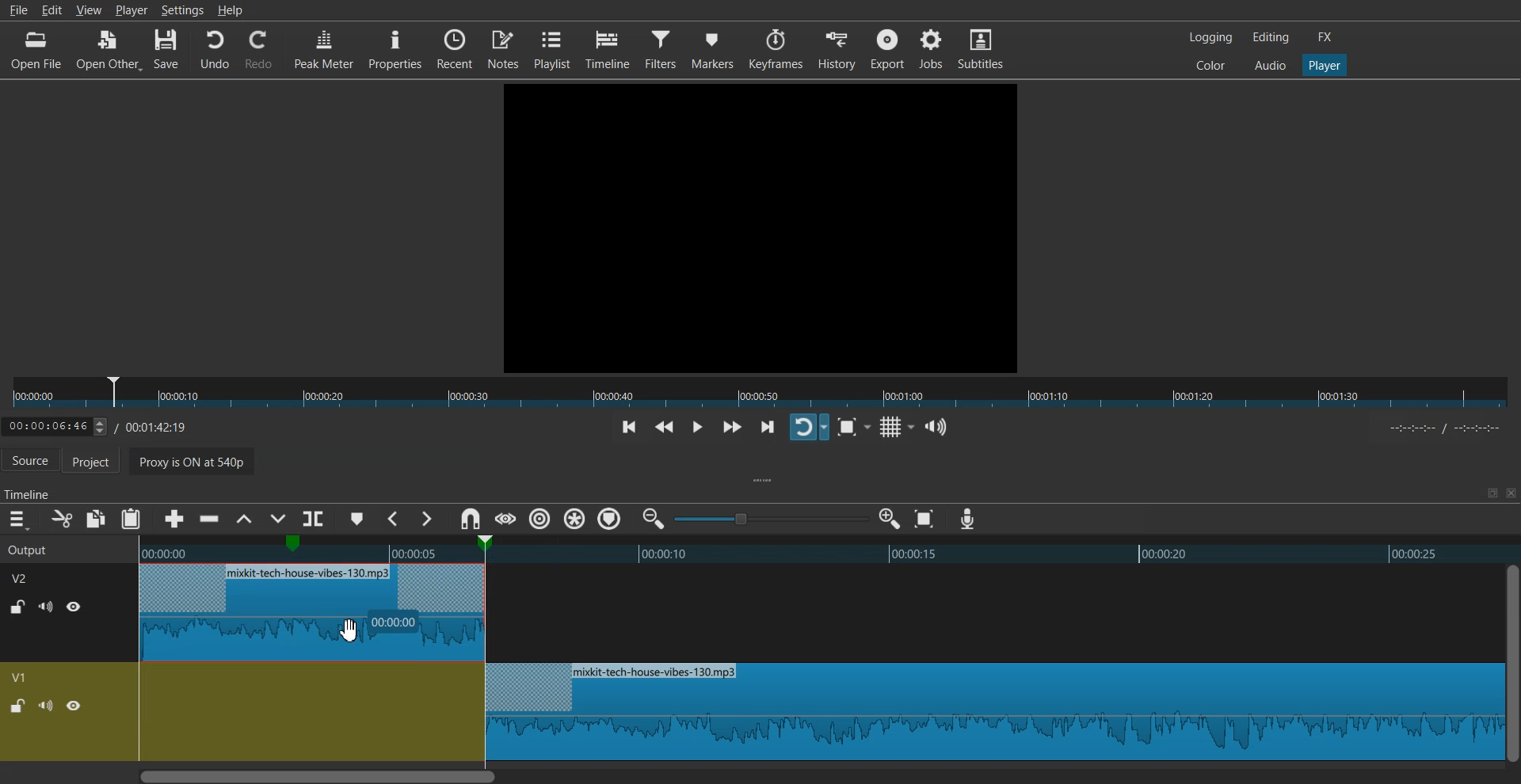 The height and width of the screenshot is (784, 1521). I want to click on Hide, so click(74, 606).